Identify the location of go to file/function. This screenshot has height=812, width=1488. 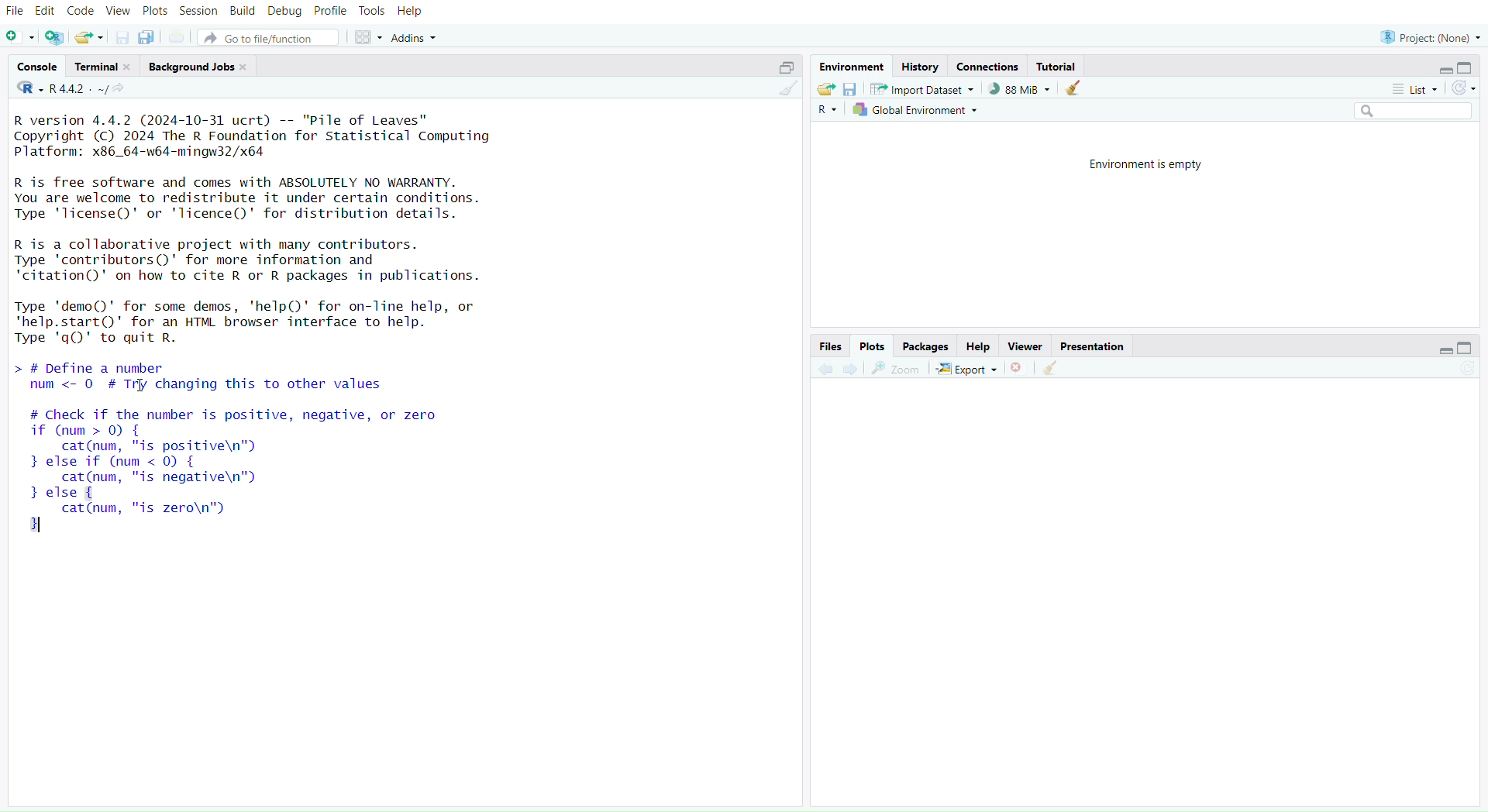
(272, 40).